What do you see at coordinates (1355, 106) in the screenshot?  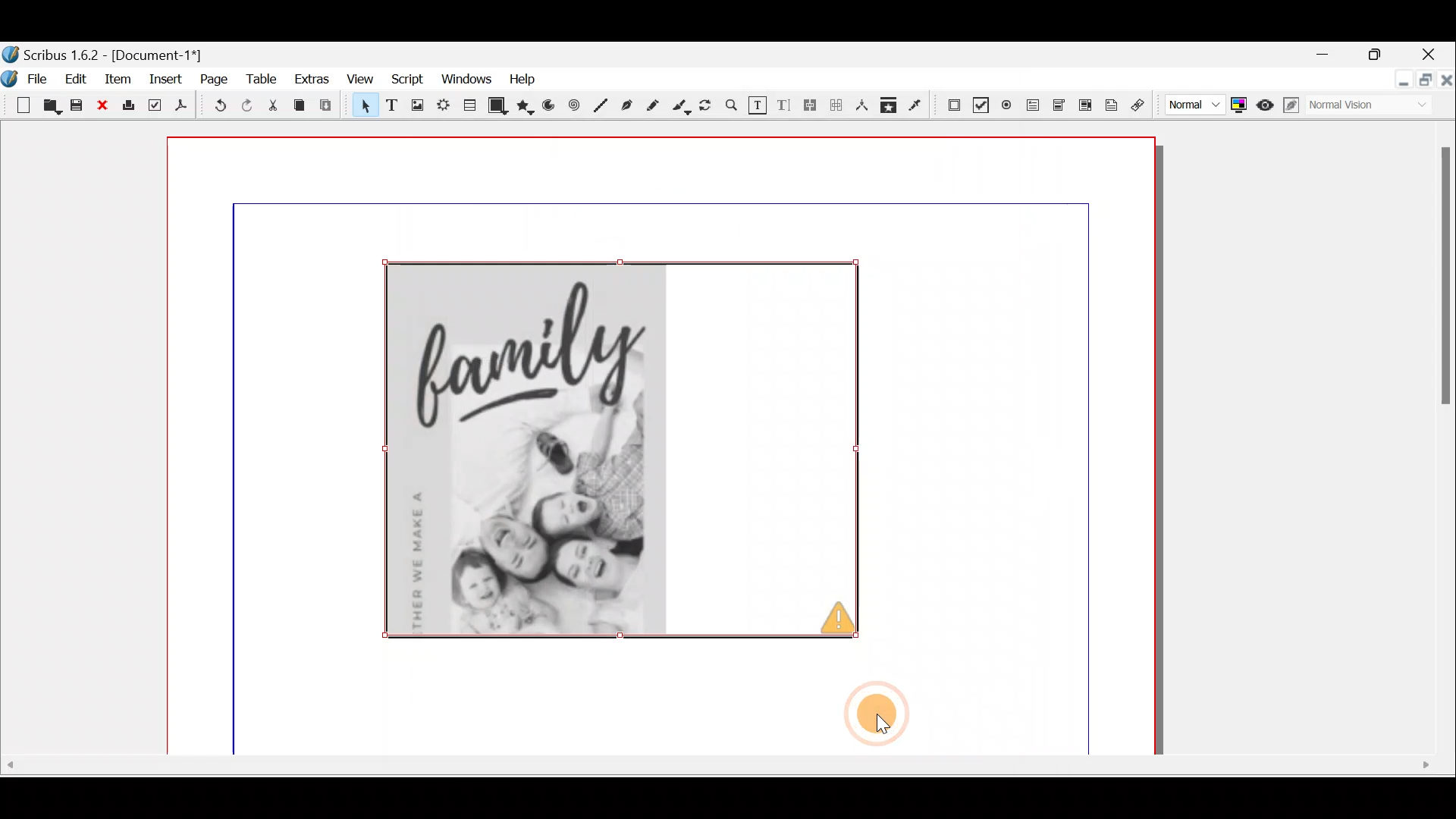 I see `Visual appearance` at bounding box center [1355, 106].